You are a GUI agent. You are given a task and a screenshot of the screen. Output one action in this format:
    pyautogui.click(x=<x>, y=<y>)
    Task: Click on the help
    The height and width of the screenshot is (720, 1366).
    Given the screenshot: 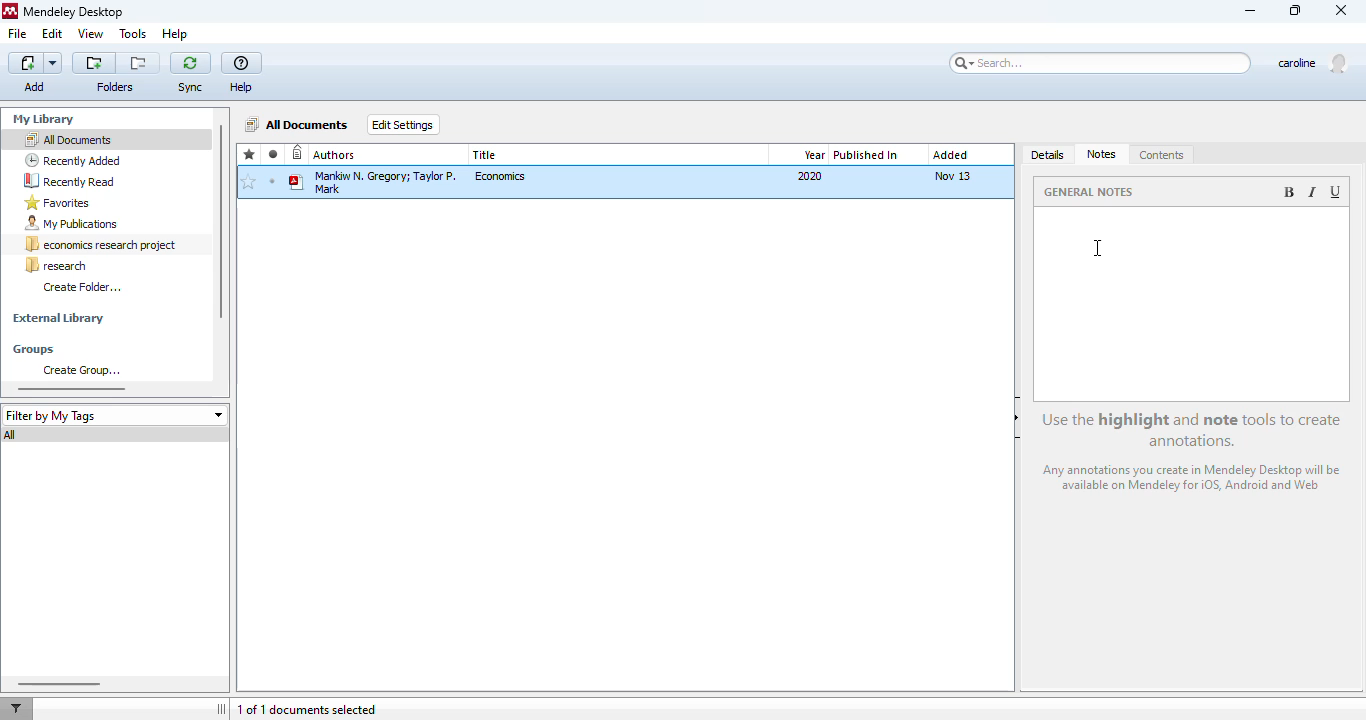 What is the action you would take?
    pyautogui.click(x=175, y=34)
    